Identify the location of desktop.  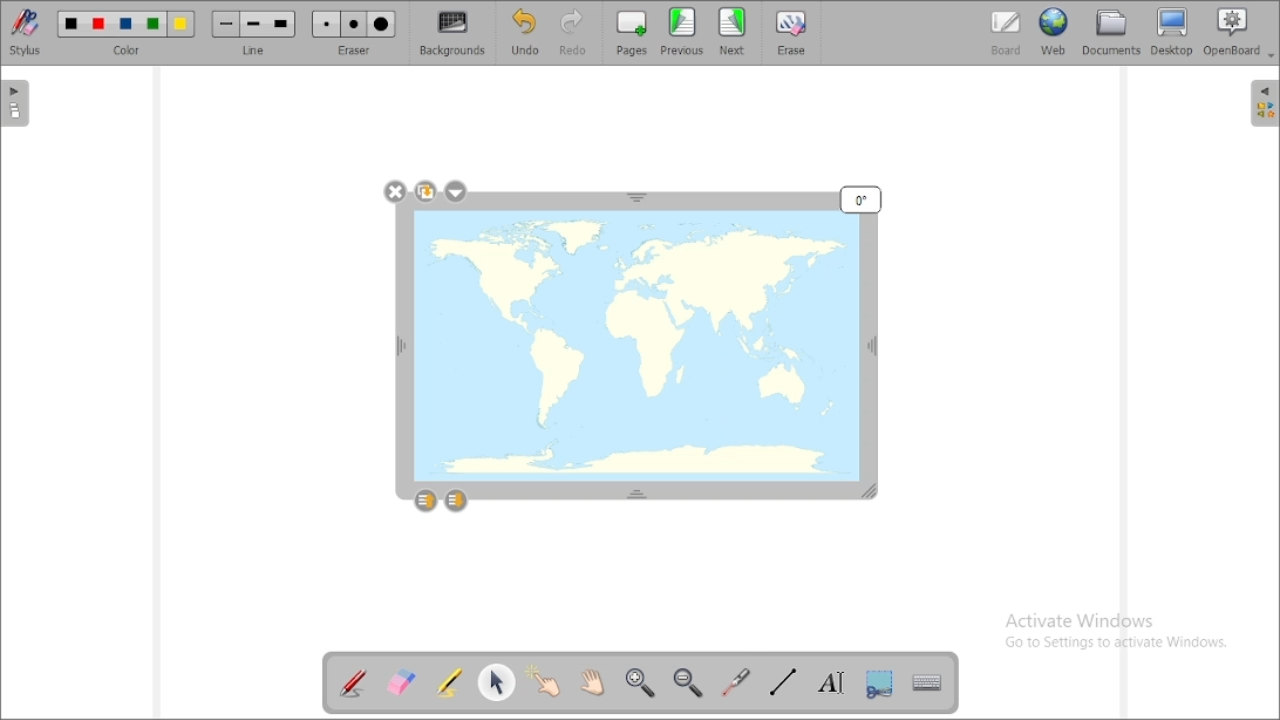
(1172, 31).